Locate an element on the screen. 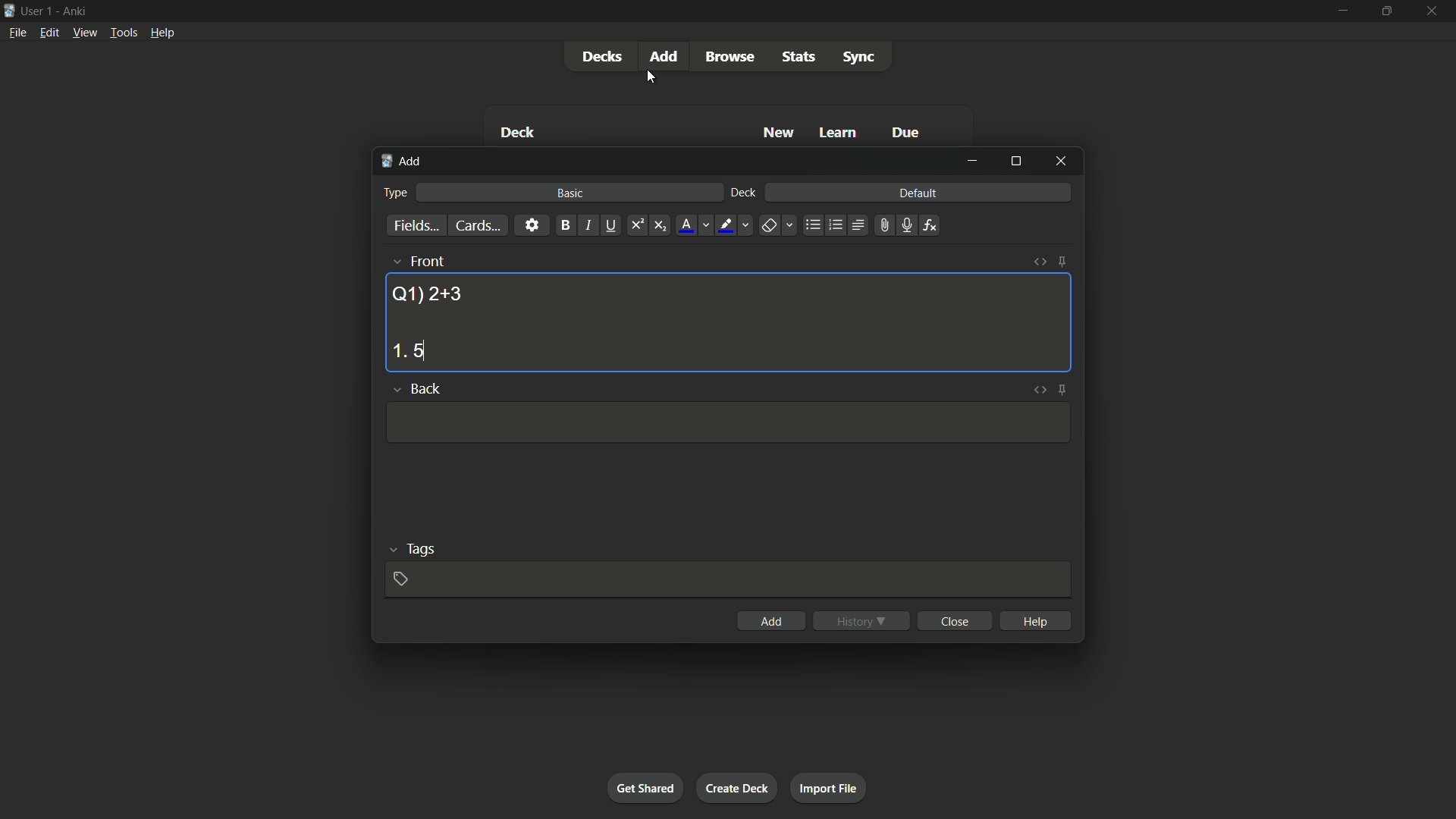 Image resolution: width=1456 pixels, height=819 pixels. help menu is located at coordinates (162, 33).